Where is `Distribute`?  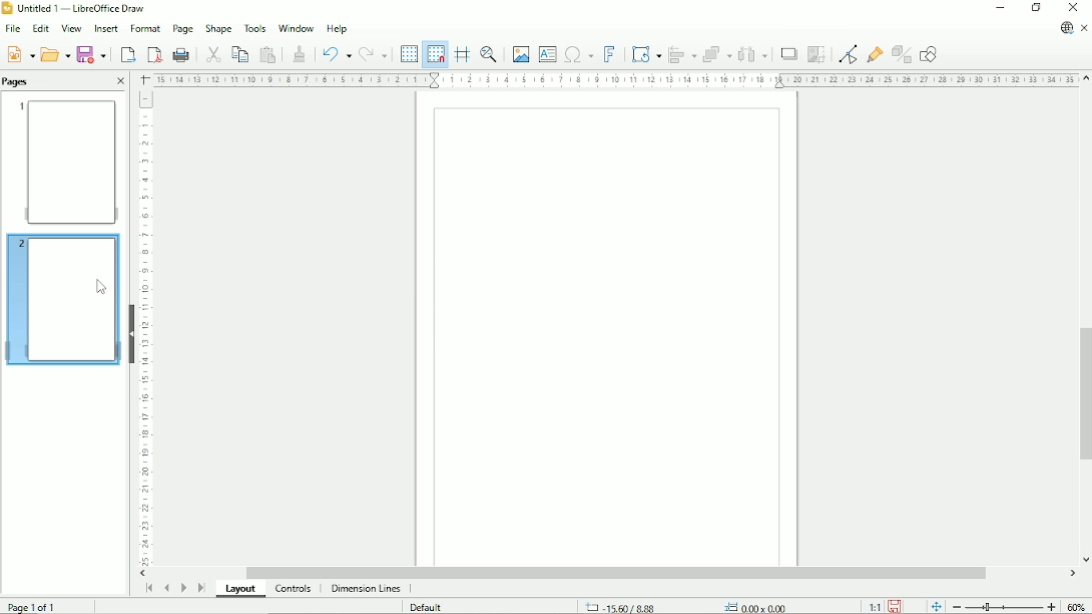 Distribute is located at coordinates (753, 55).